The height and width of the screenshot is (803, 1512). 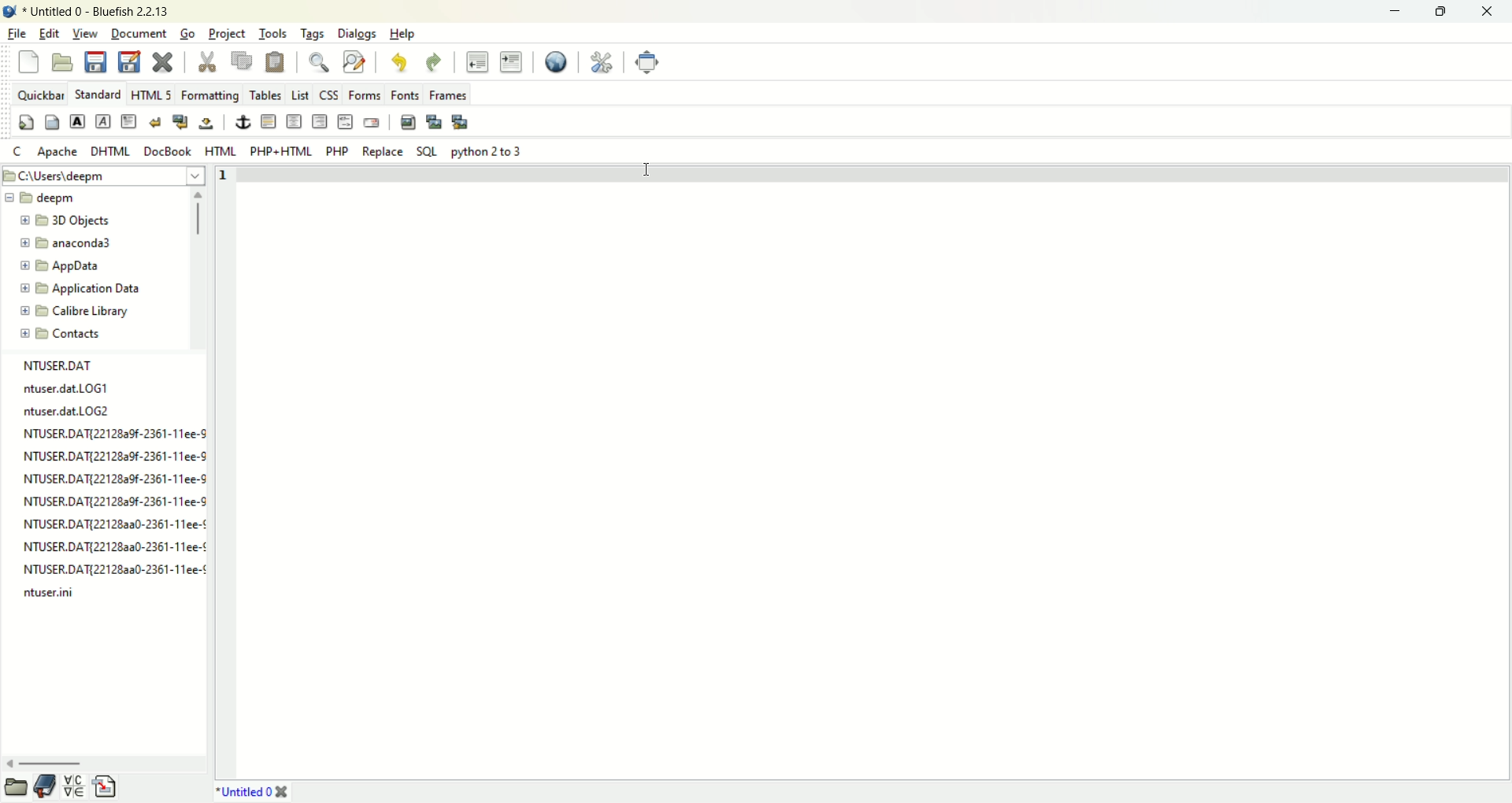 What do you see at coordinates (19, 152) in the screenshot?
I see `quick settings` at bounding box center [19, 152].